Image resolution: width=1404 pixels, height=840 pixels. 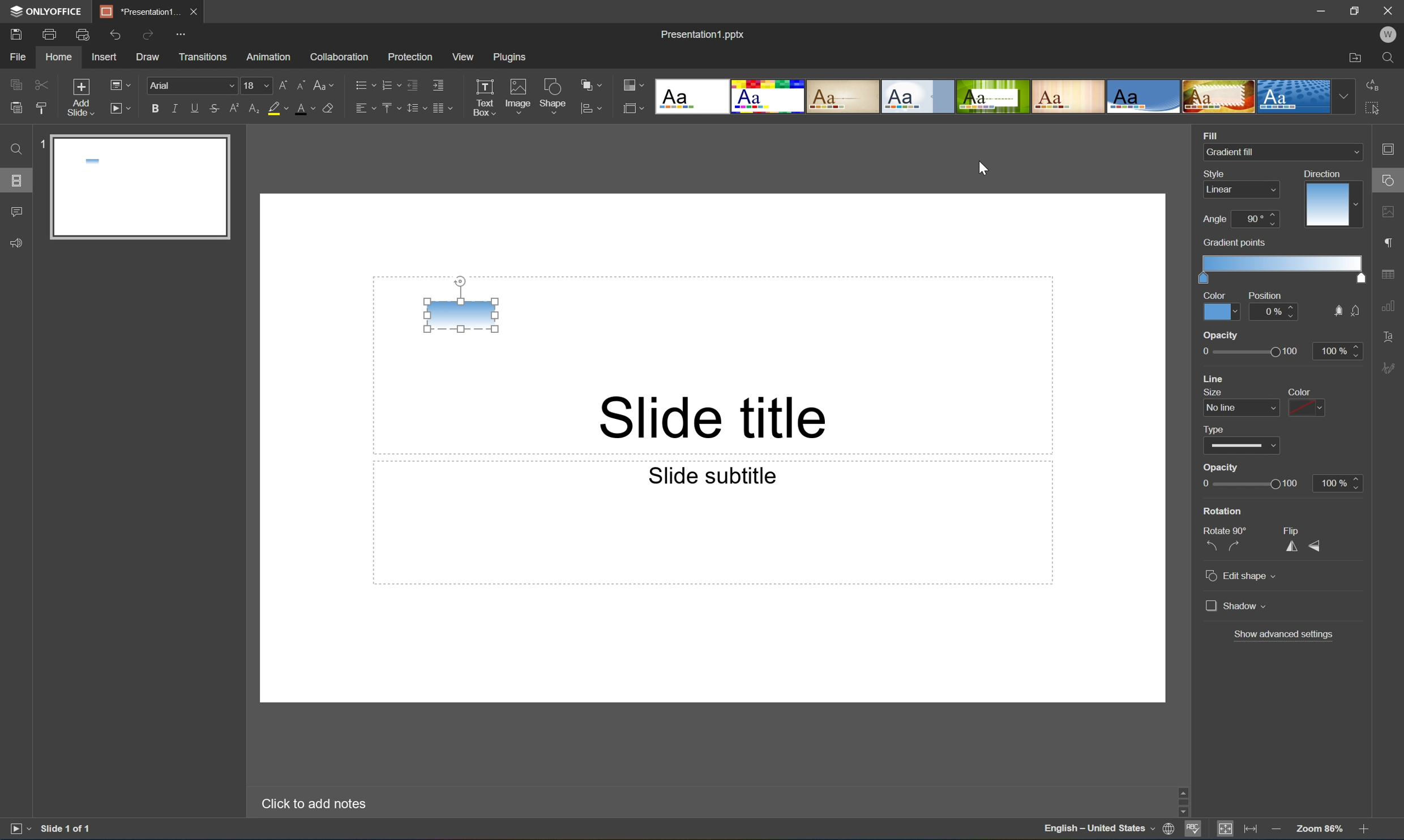 I want to click on gradient points, so click(x=1236, y=243).